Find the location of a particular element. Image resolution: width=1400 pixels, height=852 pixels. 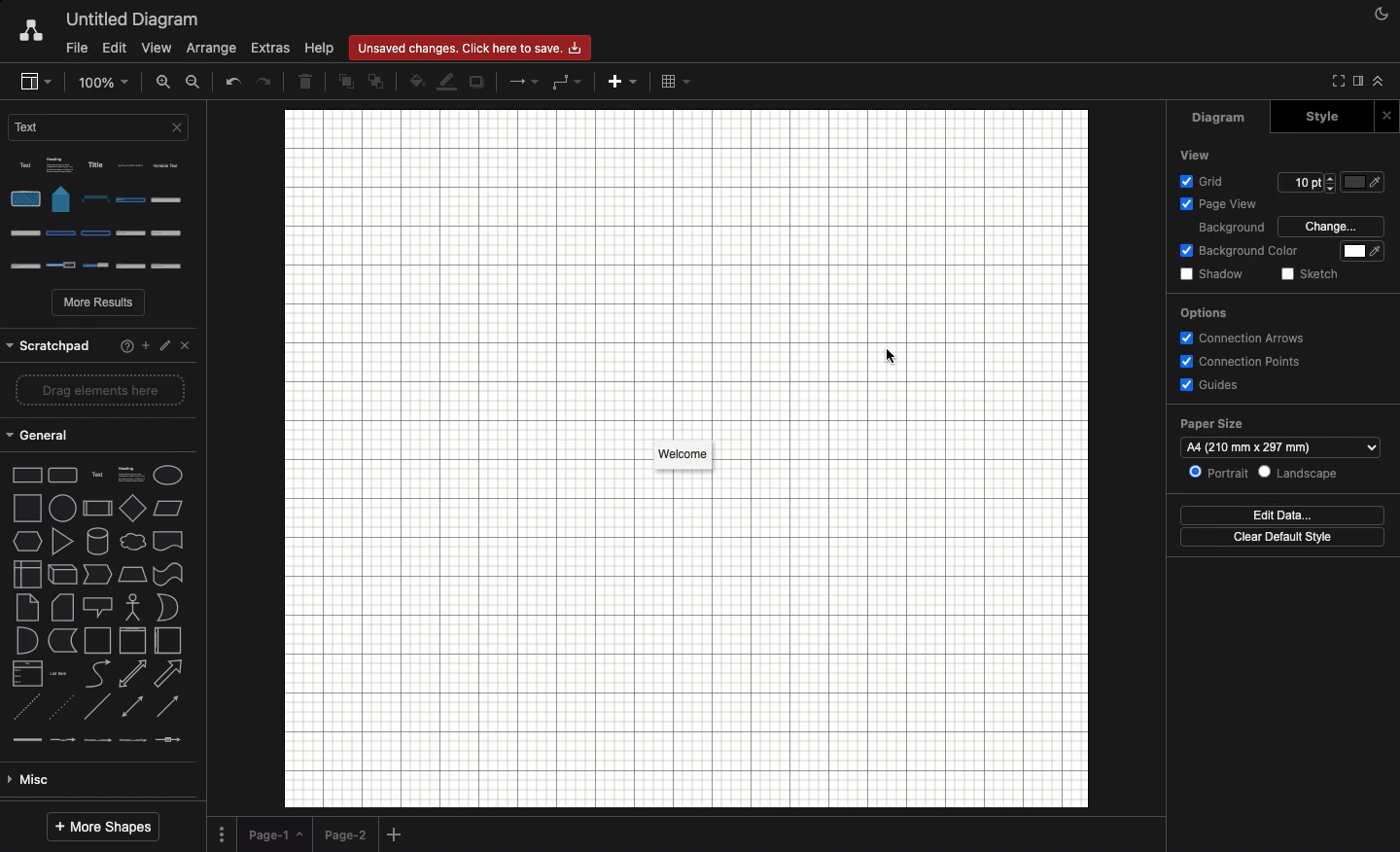

To front is located at coordinates (345, 85).